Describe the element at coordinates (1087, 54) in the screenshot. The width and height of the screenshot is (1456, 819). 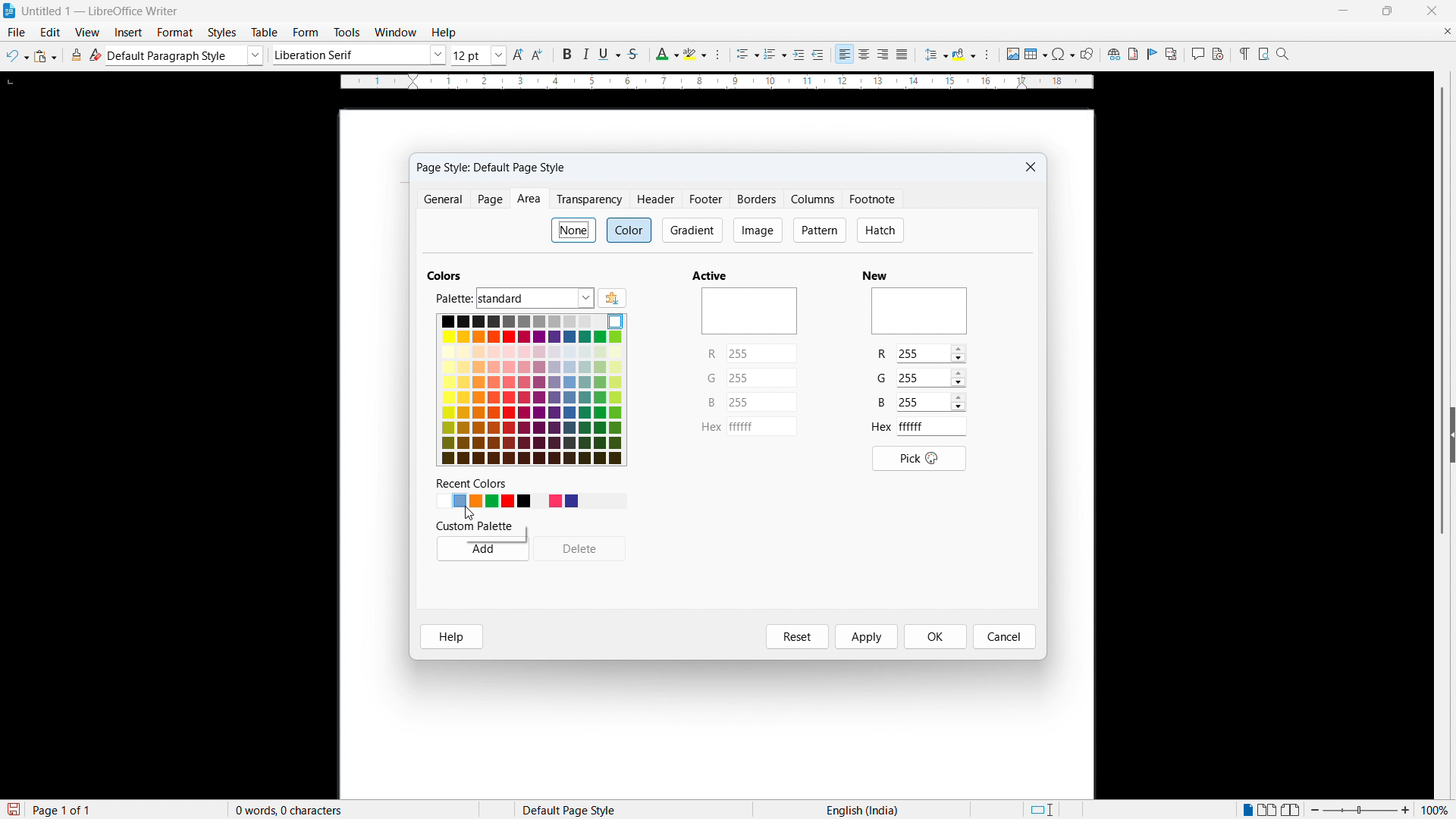
I see `Show draw functions ` at that location.